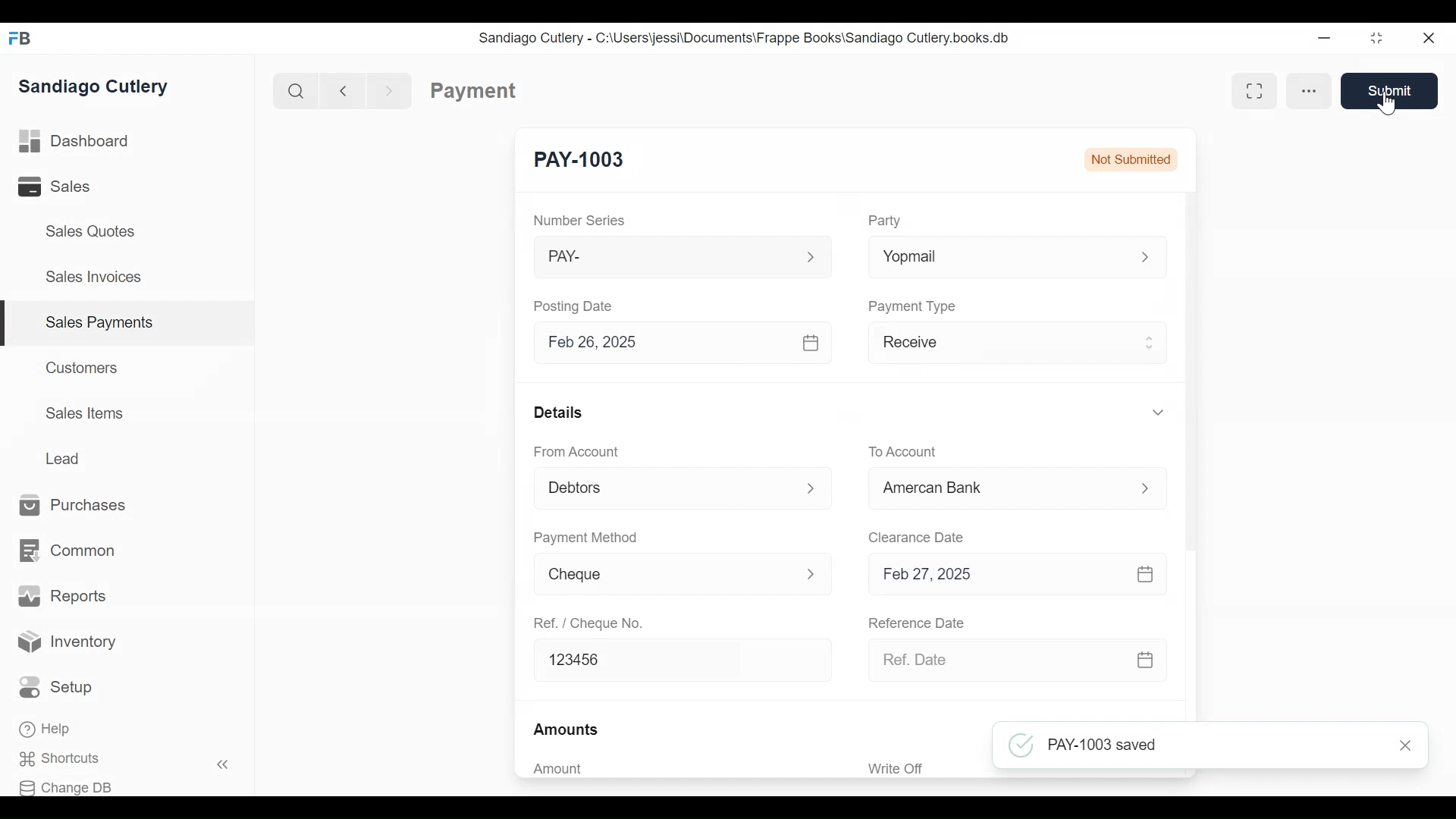 This screenshot has width=1456, height=819. I want to click on Ref. / Cheque No., so click(587, 623).